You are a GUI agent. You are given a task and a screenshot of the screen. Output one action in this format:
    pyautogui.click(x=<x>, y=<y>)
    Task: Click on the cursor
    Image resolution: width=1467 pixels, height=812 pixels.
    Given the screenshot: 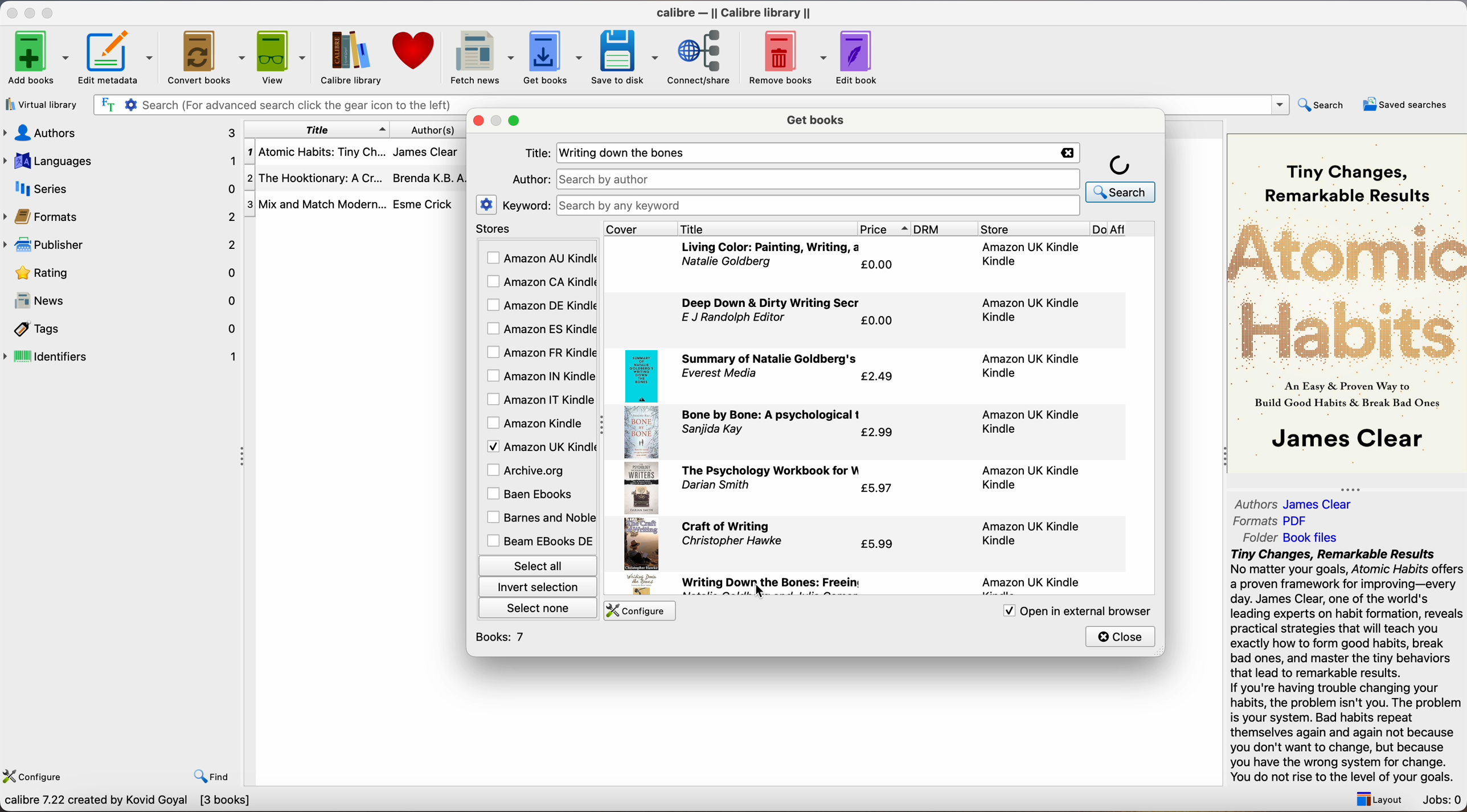 What is the action you would take?
    pyautogui.click(x=759, y=593)
    